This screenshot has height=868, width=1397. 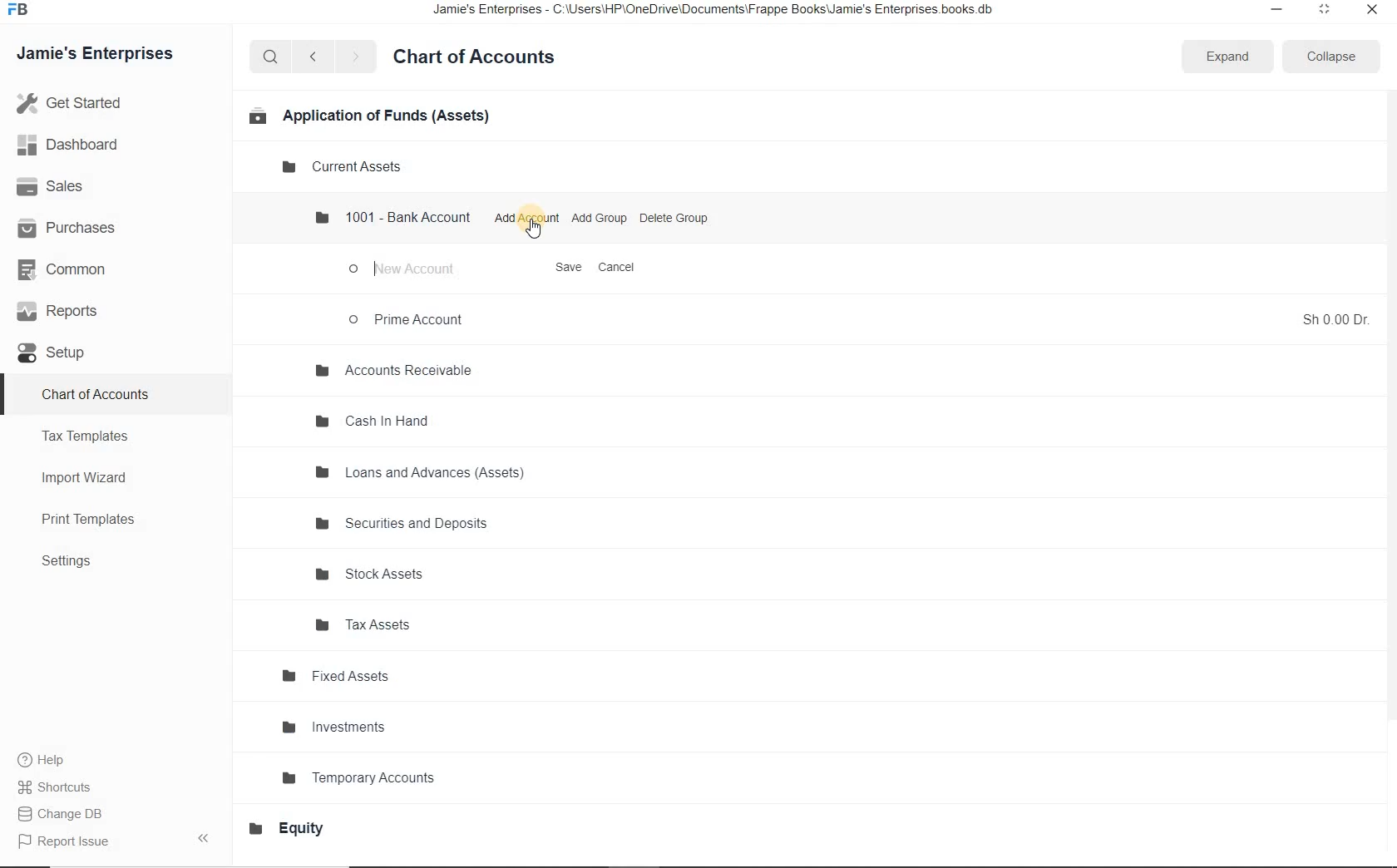 I want to click on Jamie's Enterprises - C:\Users\HP\OneDrive\Documents\Frappe Books\Jamie's Enterprises books.db, so click(x=728, y=12).